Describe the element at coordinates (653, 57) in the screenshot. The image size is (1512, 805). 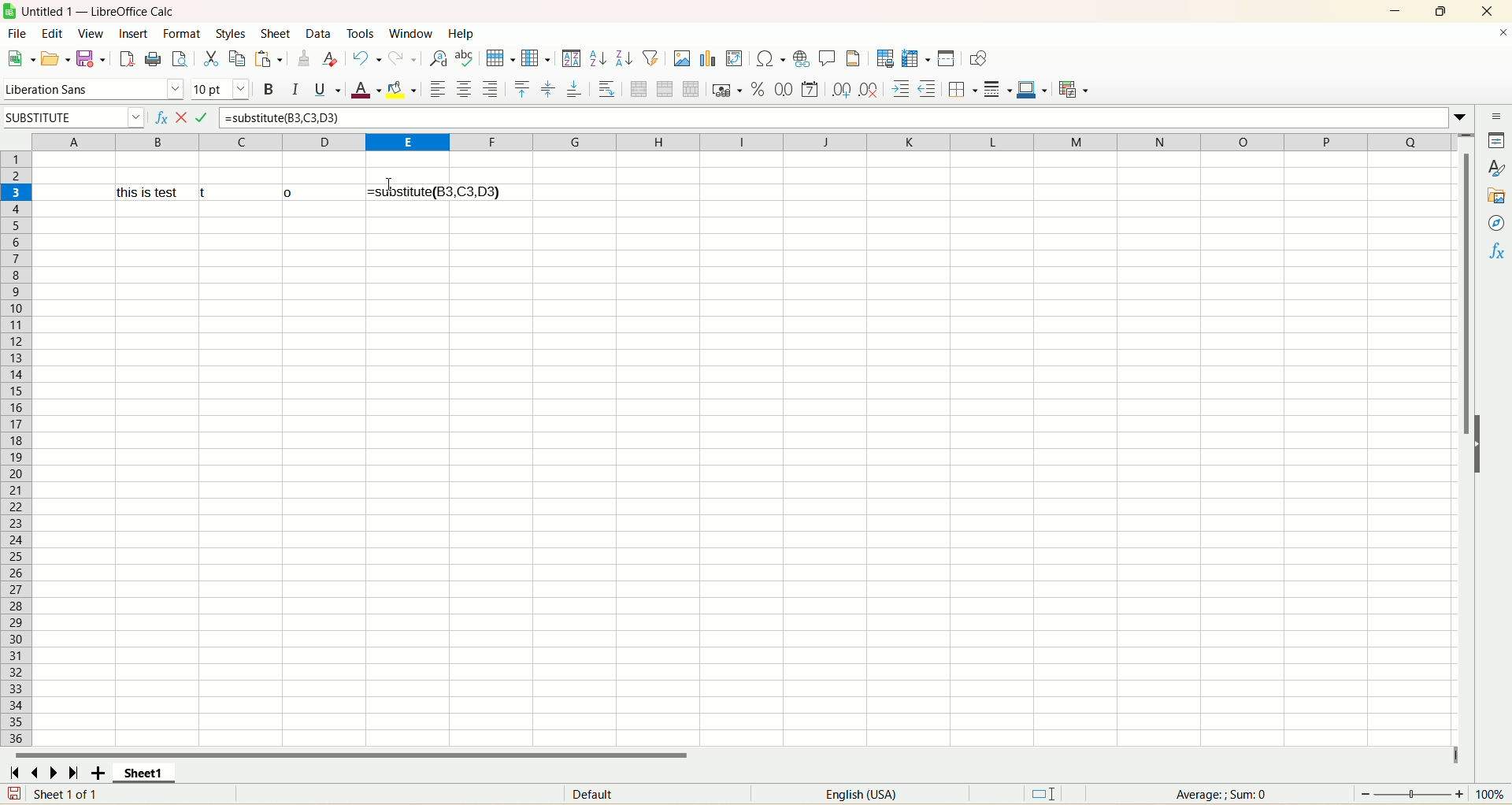
I see `autofilter` at that location.